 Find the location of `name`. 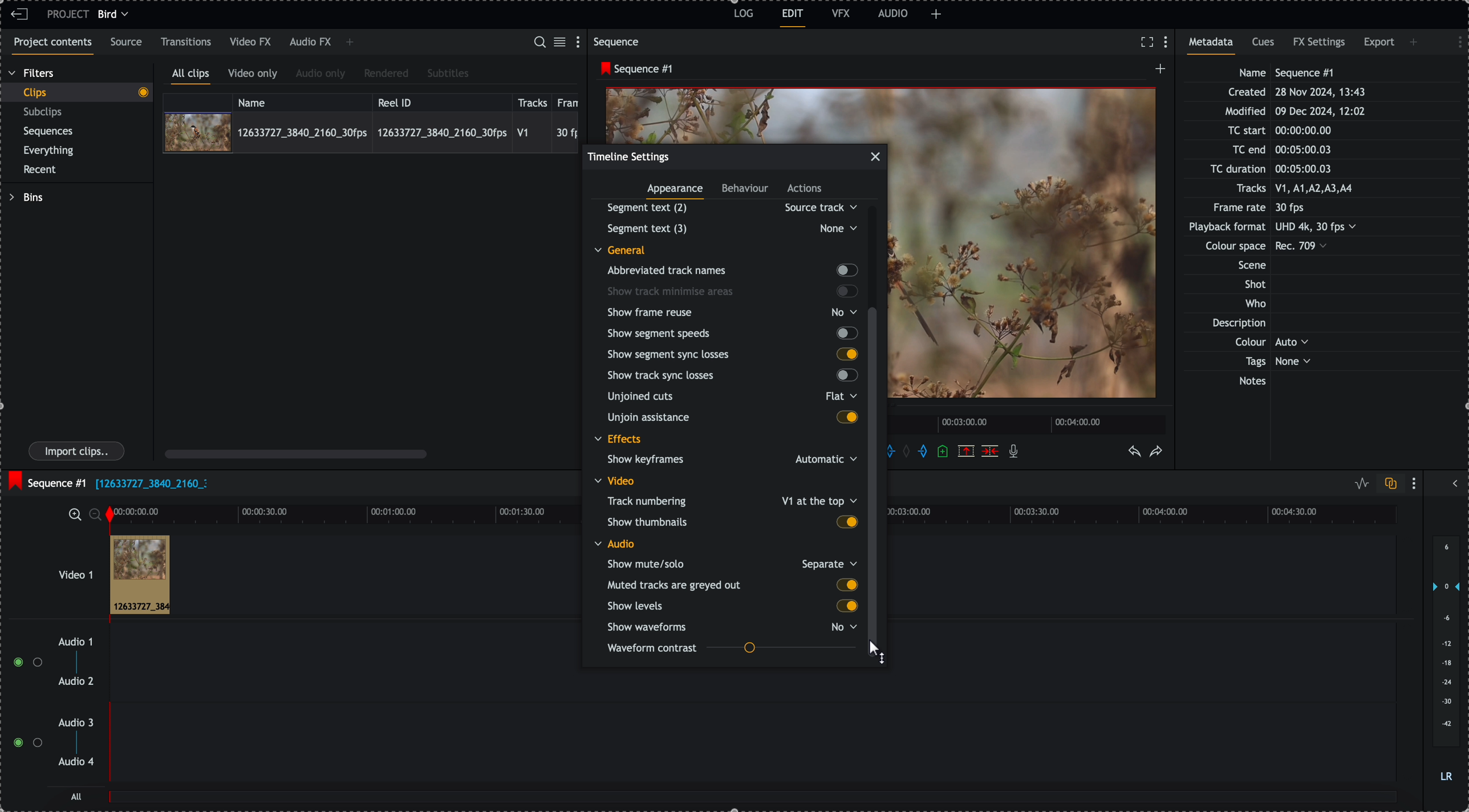

name is located at coordinates (302, 101).